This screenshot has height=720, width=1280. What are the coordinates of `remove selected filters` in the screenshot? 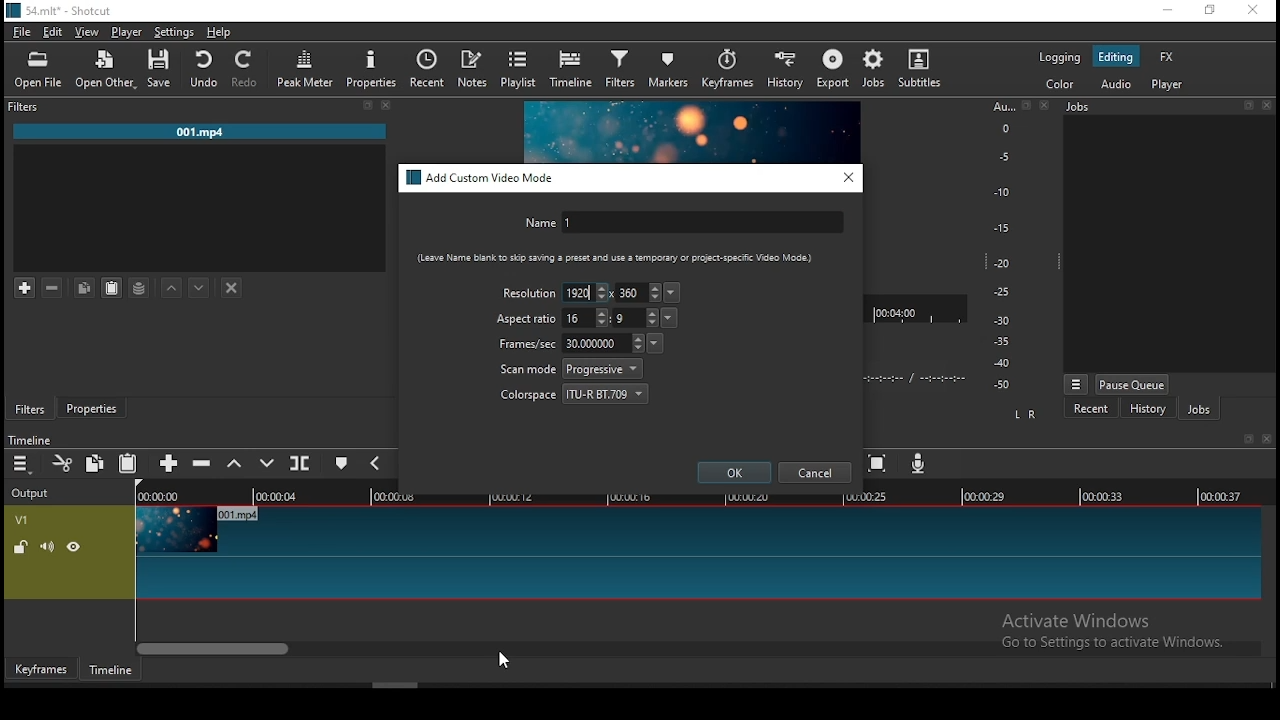 It's located at (53, 288).